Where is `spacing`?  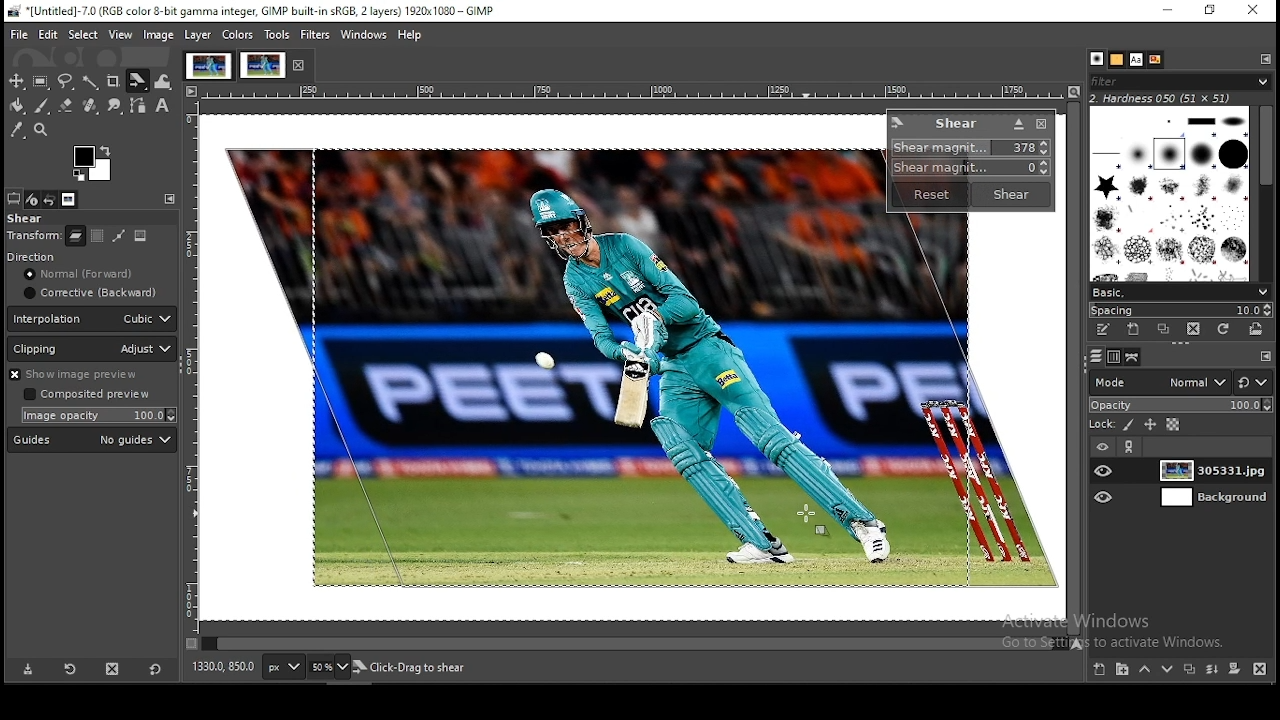
spacing is located at coordinates (1184, 310).